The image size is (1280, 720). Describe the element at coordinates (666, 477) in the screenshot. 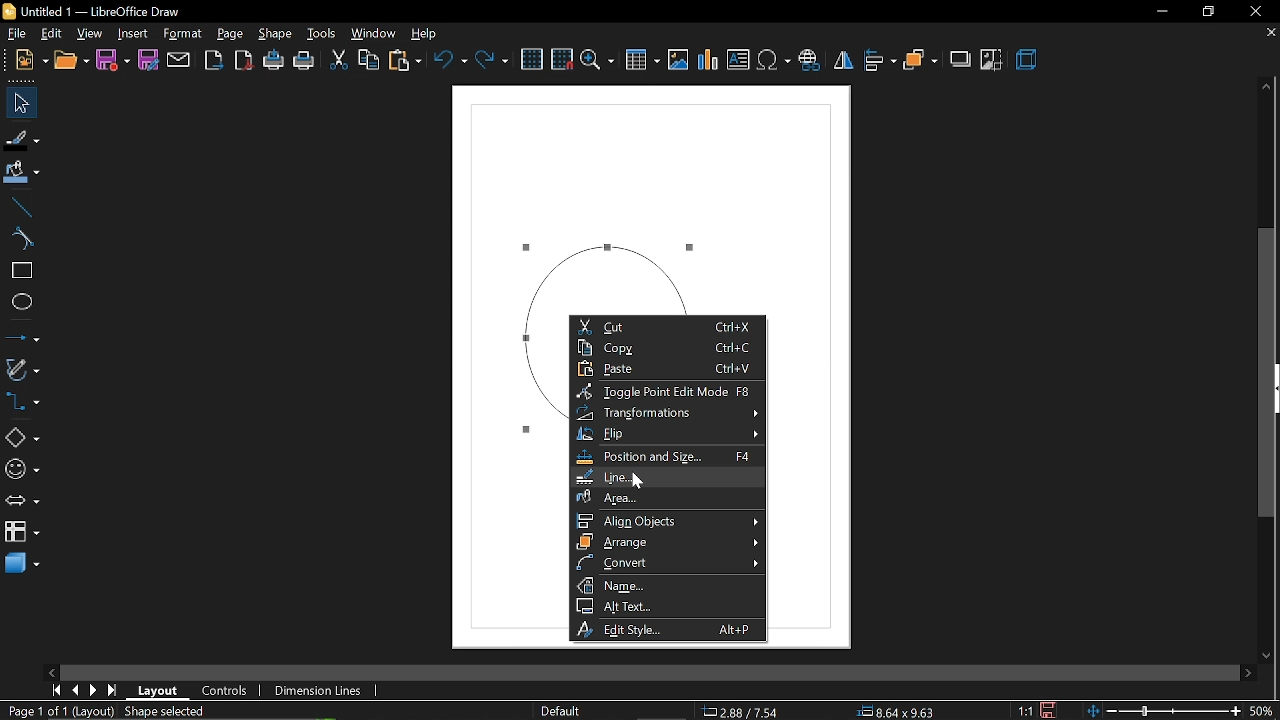

I see `line` at that location.